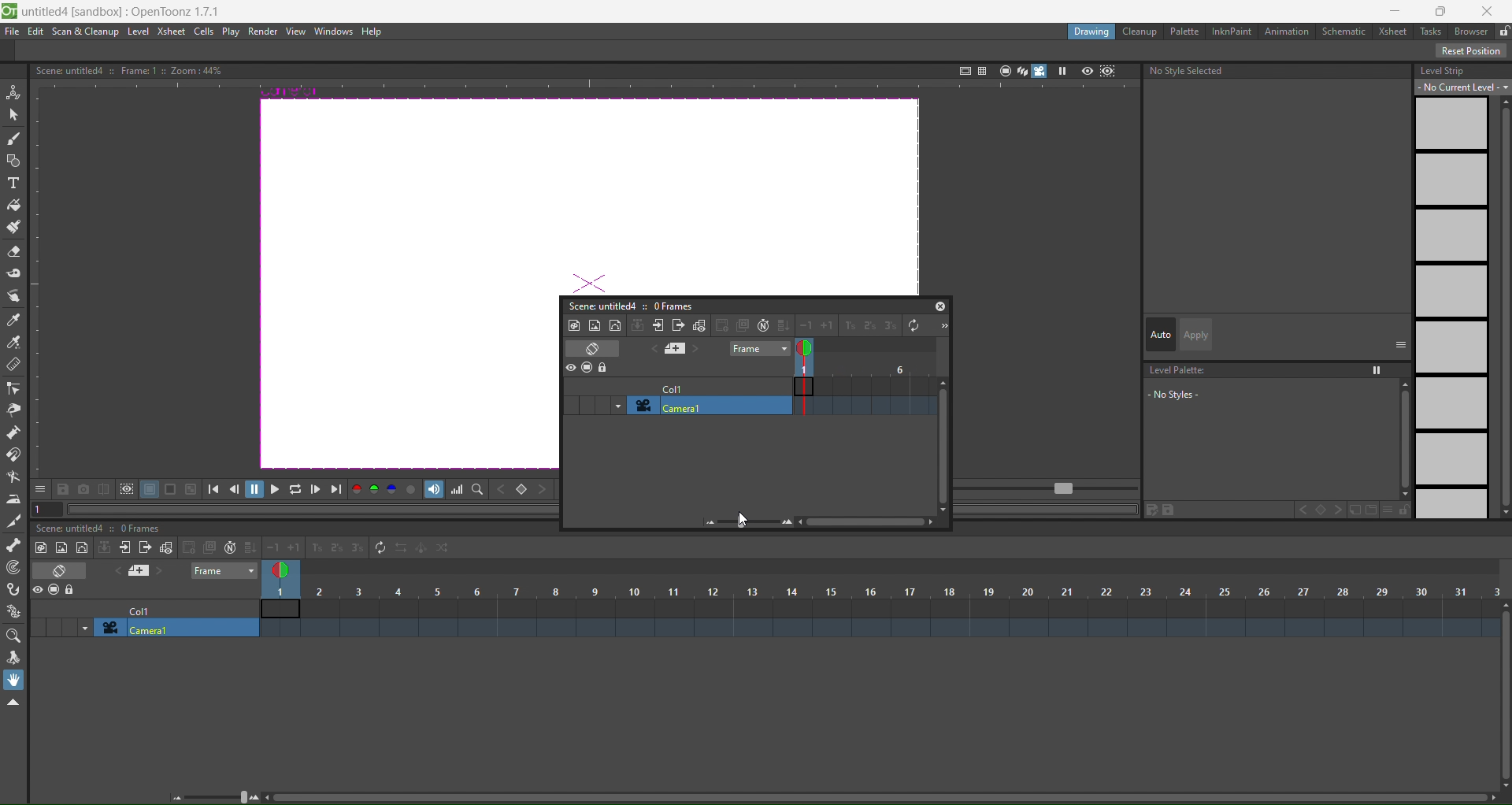 Image resolution: width=1512 pixels, height=805 pixels. Describe the element at coordinates (981, 69) in the screenshot. I see `field guide` at that location.